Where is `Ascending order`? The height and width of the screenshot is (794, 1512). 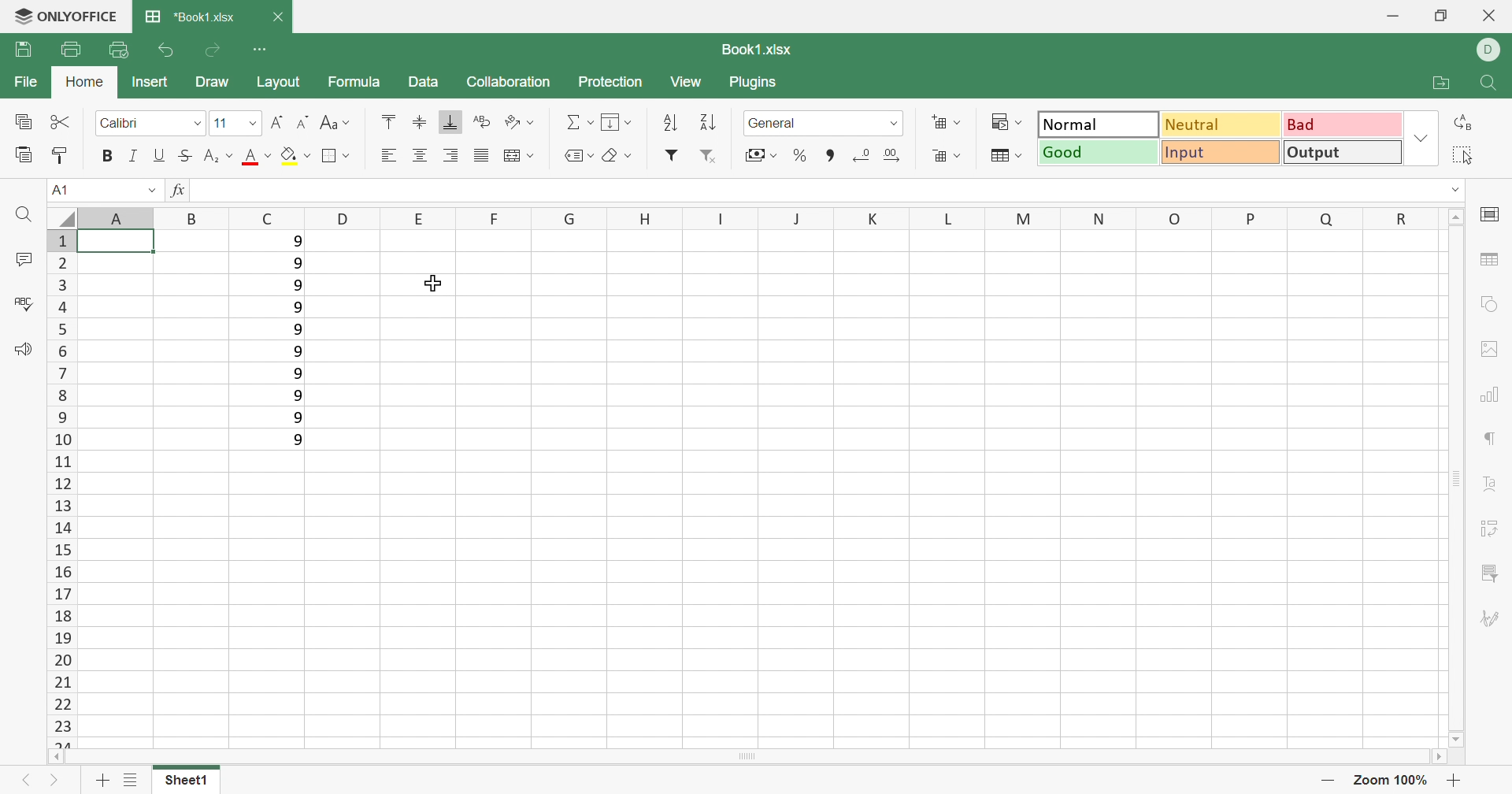 Ascending order is located at coordinates (670, 124).